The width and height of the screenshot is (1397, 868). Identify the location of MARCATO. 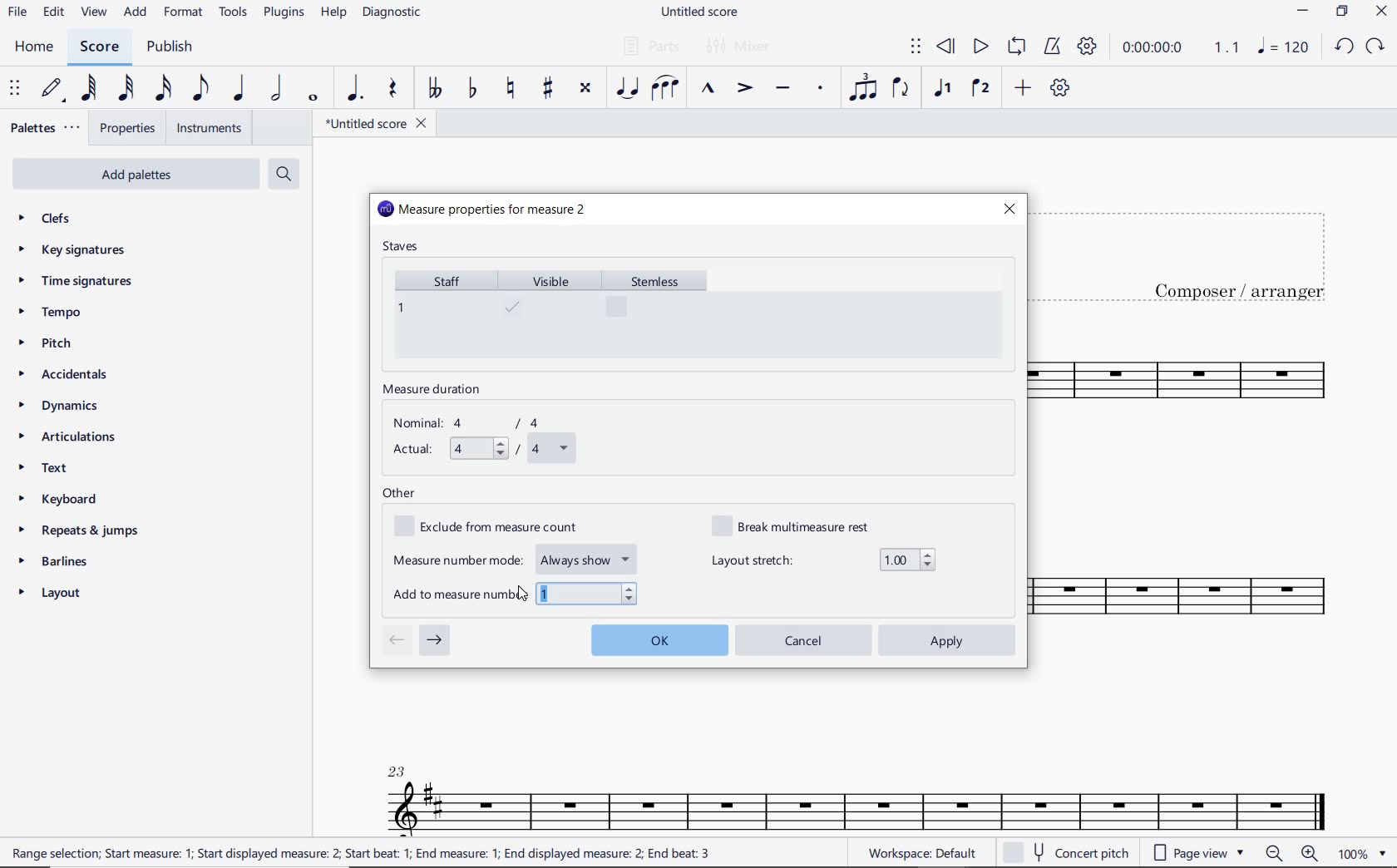
(706, 90).